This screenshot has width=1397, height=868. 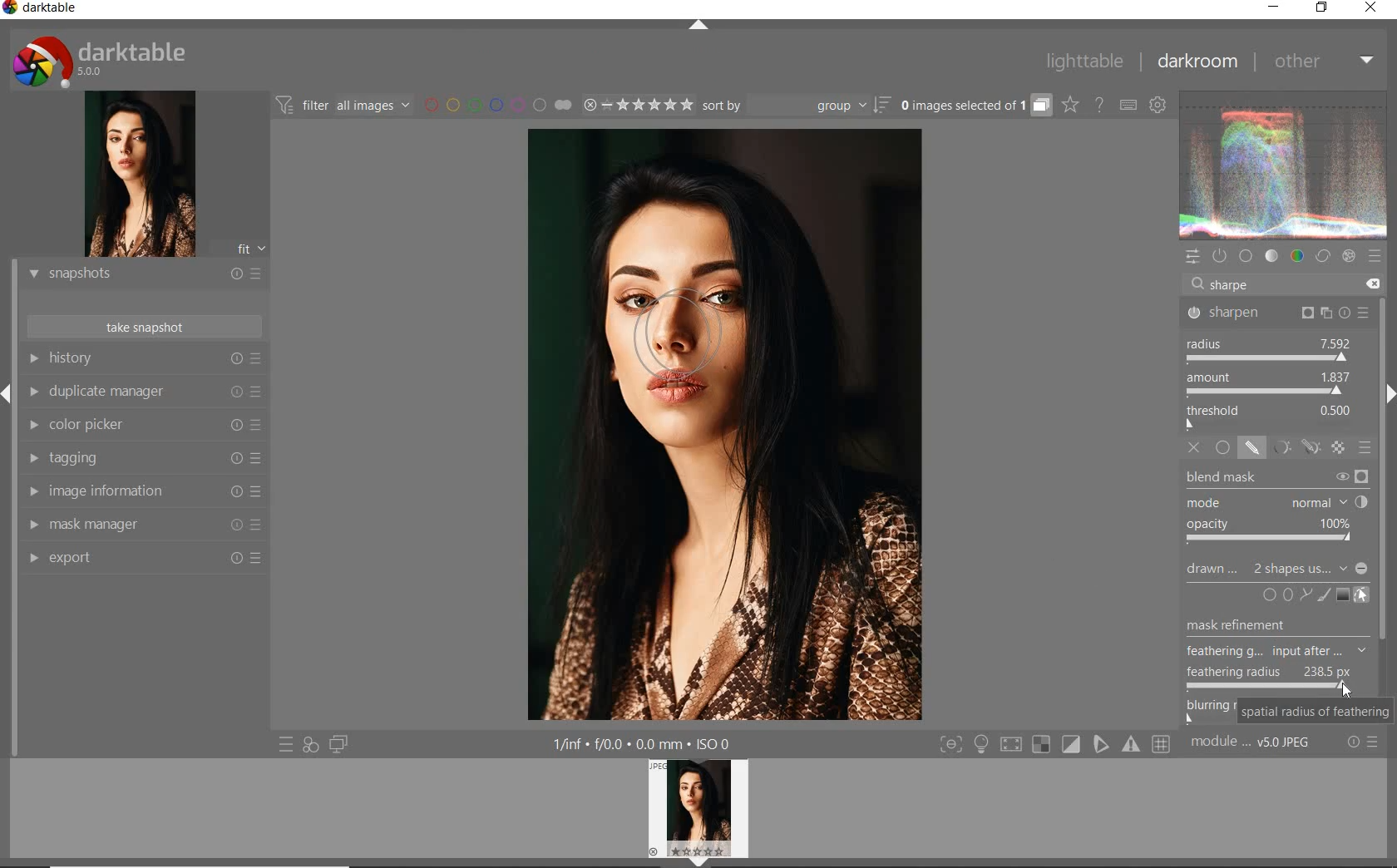 What do you see at coordinates (635, 106) in the screenshot?
I see `range rating of selected images` at bounding box center [635, 106].